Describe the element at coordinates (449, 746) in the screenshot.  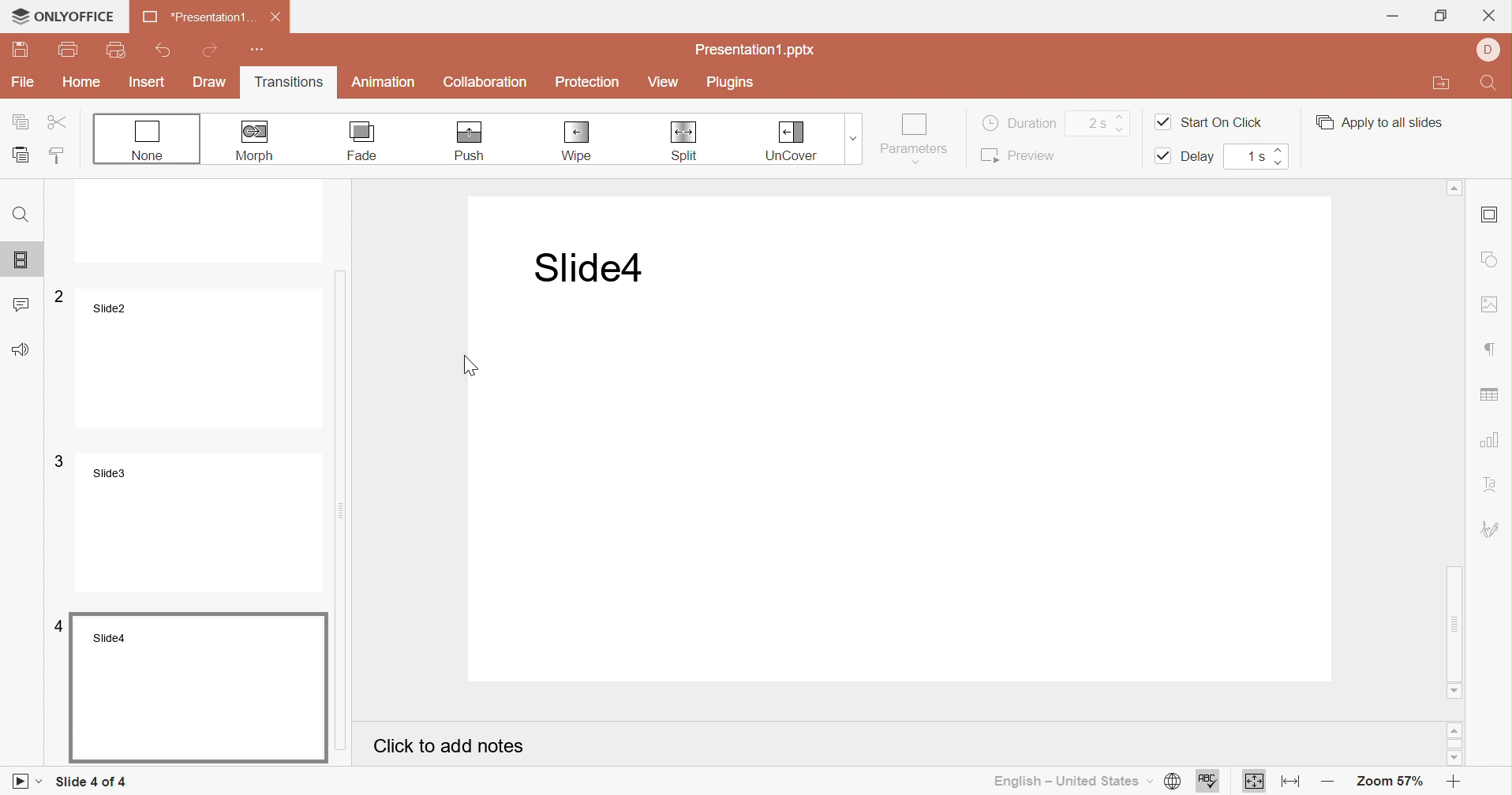
I see `Click to add notes` at that location.